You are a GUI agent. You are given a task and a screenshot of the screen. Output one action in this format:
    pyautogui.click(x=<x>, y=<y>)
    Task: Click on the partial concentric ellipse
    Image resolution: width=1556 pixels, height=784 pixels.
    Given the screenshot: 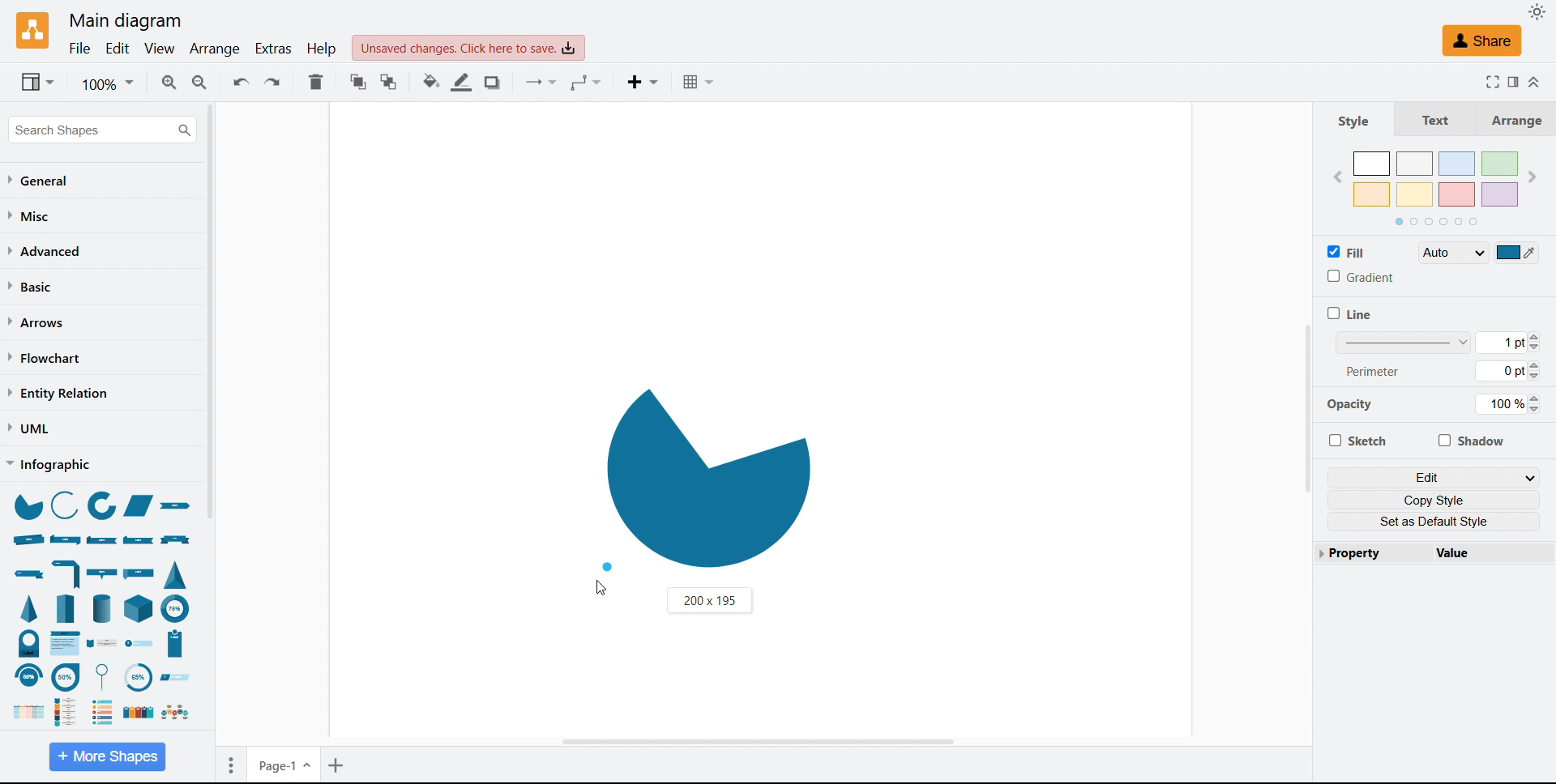 What is the action you would take?
    pyautogui.click(x=176, y=607)
    